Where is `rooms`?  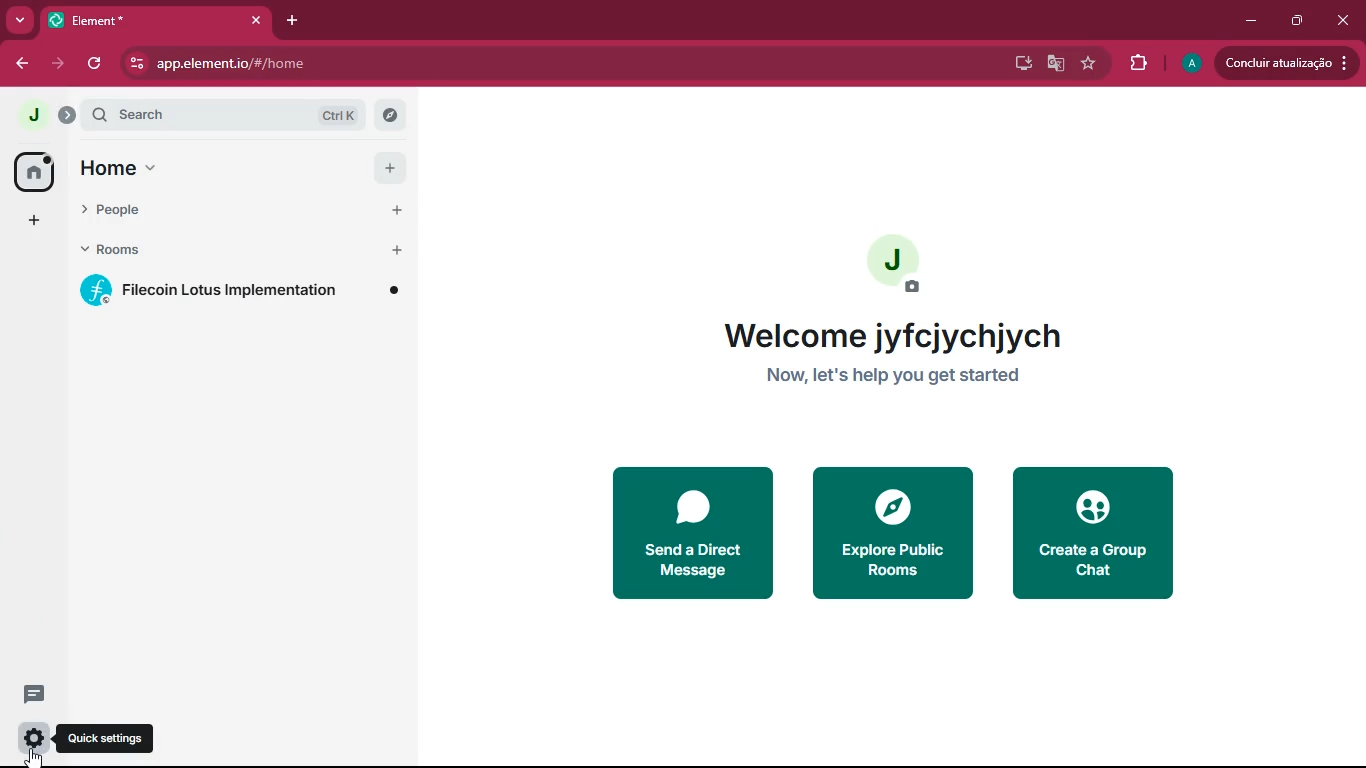 rooms is located at coordinates (135, 250).